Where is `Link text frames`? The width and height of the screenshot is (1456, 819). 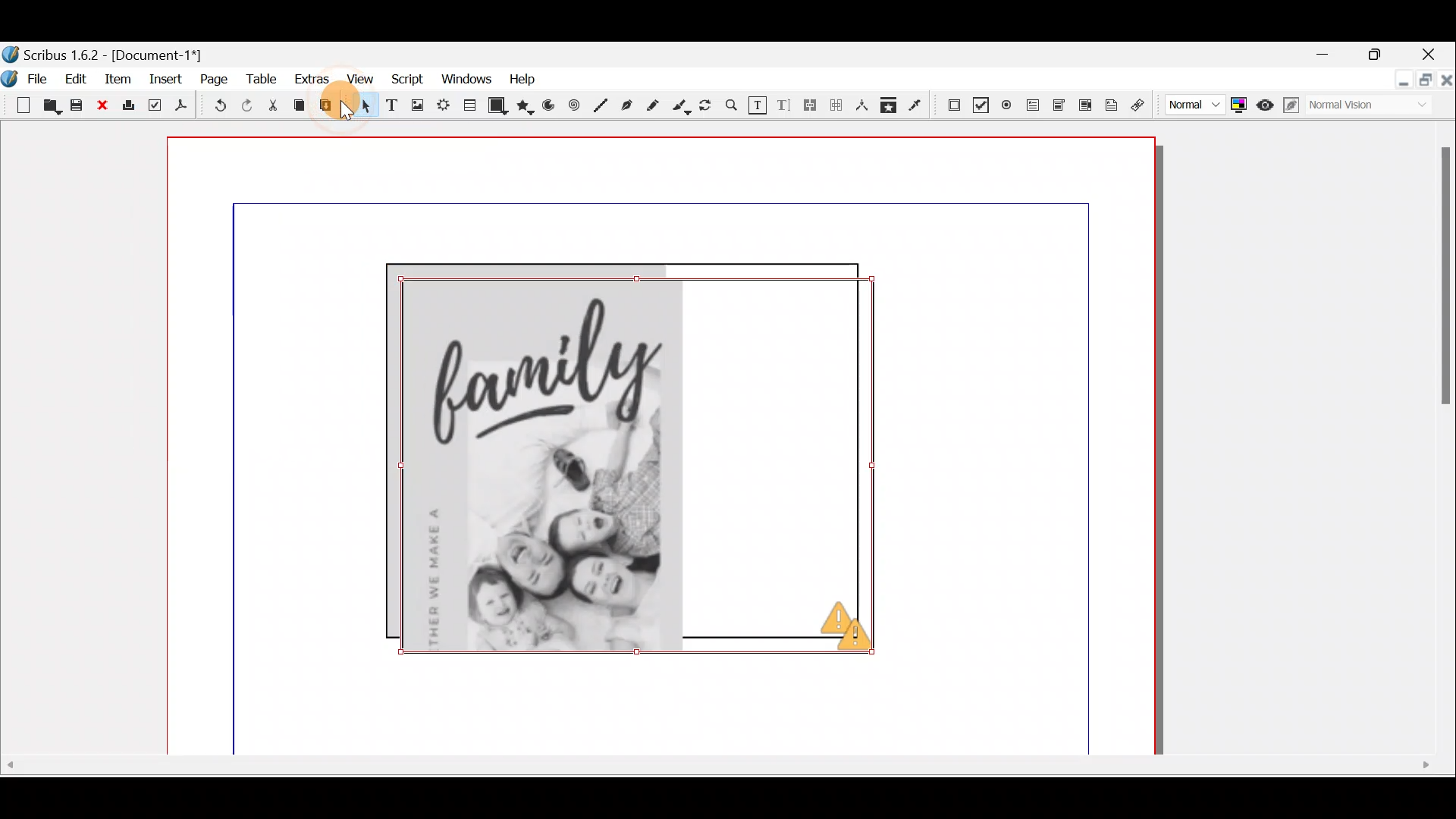
Link text frames is located at coordinates (811, 108).